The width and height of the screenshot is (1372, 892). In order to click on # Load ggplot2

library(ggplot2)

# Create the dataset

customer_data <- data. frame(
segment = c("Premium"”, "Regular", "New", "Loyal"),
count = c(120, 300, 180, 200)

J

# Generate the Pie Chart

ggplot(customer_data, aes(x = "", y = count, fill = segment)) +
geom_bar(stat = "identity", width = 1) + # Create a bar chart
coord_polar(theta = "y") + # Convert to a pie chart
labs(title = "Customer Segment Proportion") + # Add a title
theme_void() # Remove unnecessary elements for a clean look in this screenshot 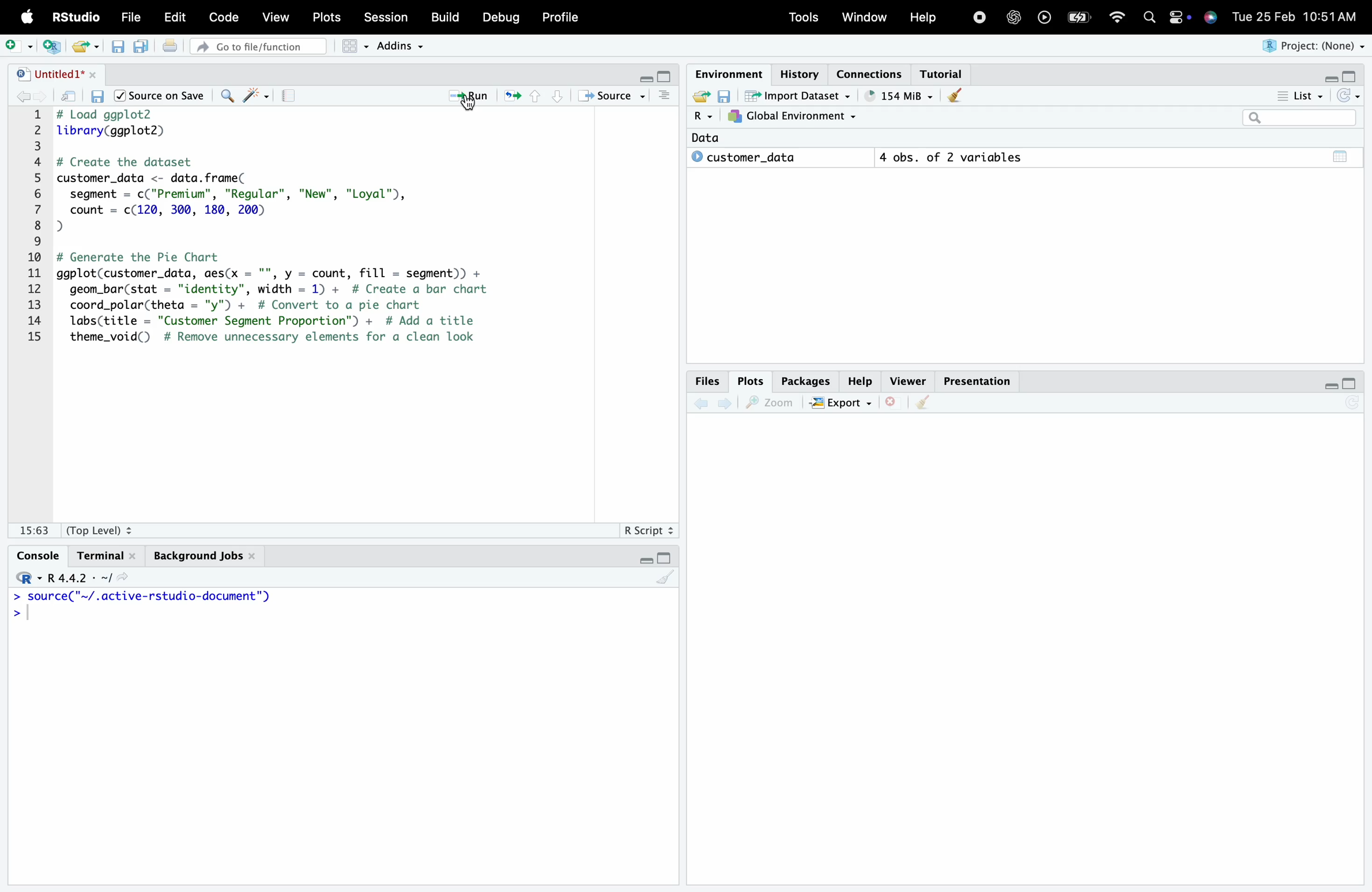, I will do `click(318, 234)`.